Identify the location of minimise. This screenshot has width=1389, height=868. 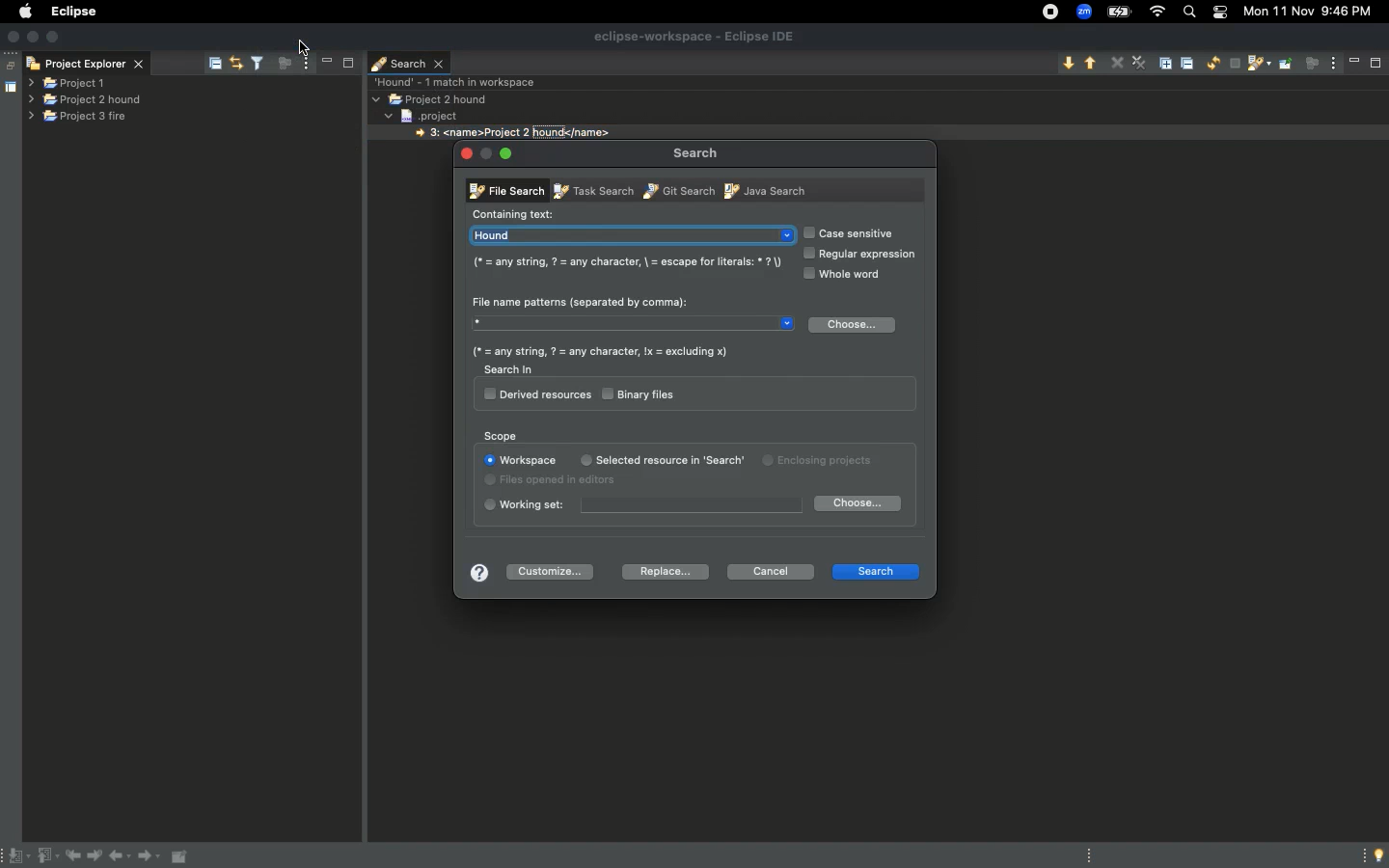
(35, 38).